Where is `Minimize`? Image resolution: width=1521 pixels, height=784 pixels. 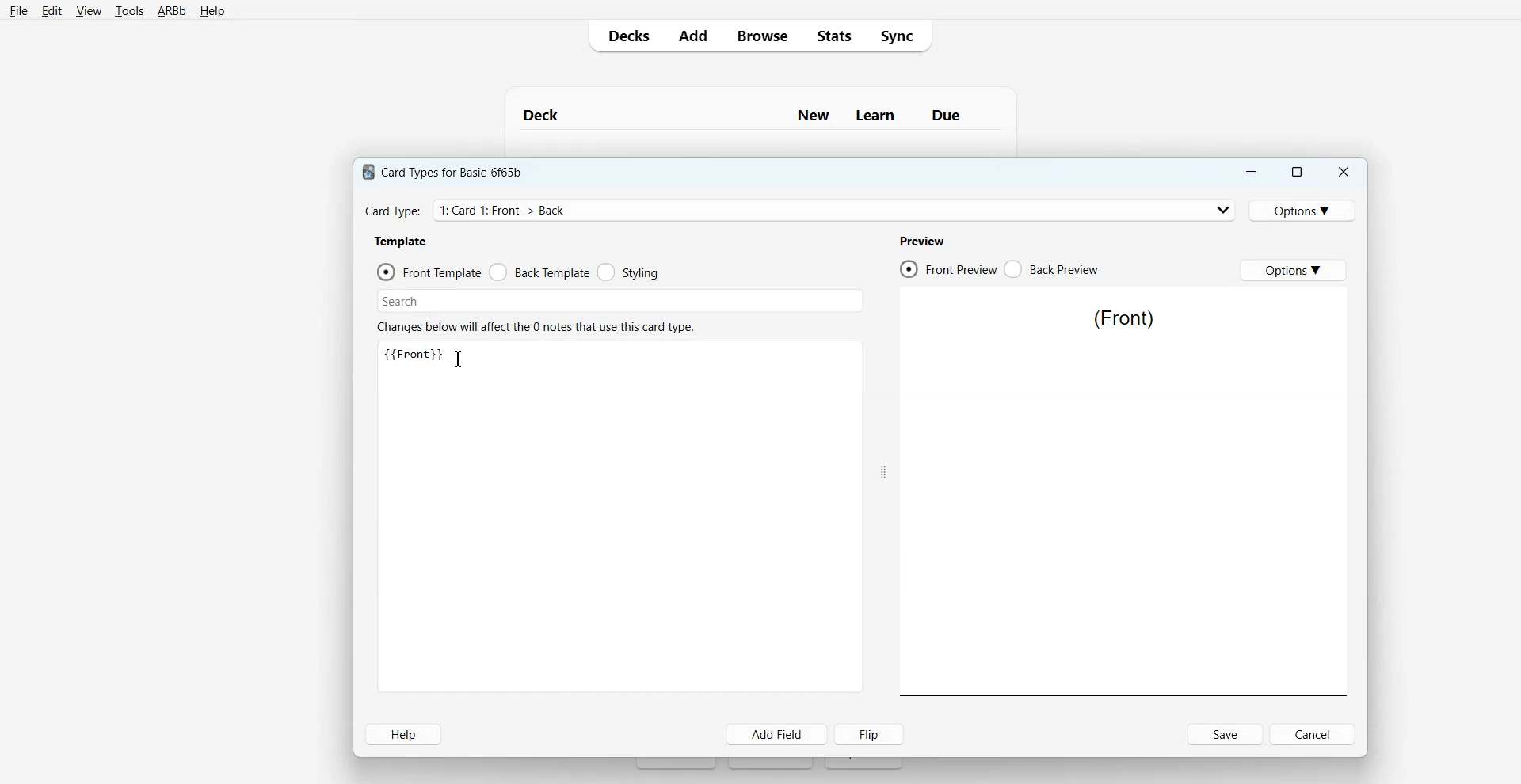
Minimize is located at coordinates (1252, 171).